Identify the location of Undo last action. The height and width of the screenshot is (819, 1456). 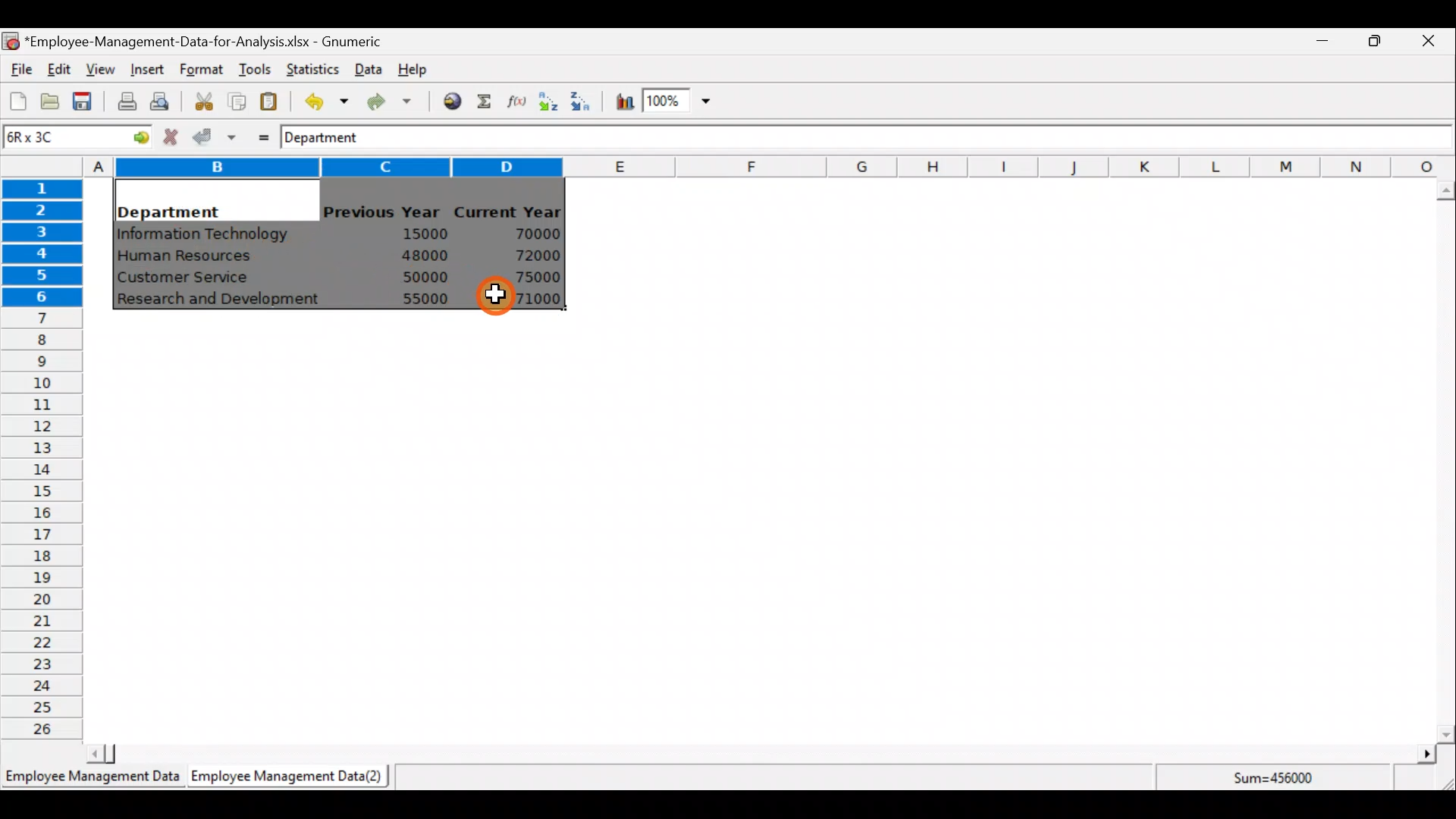
(318, 98).